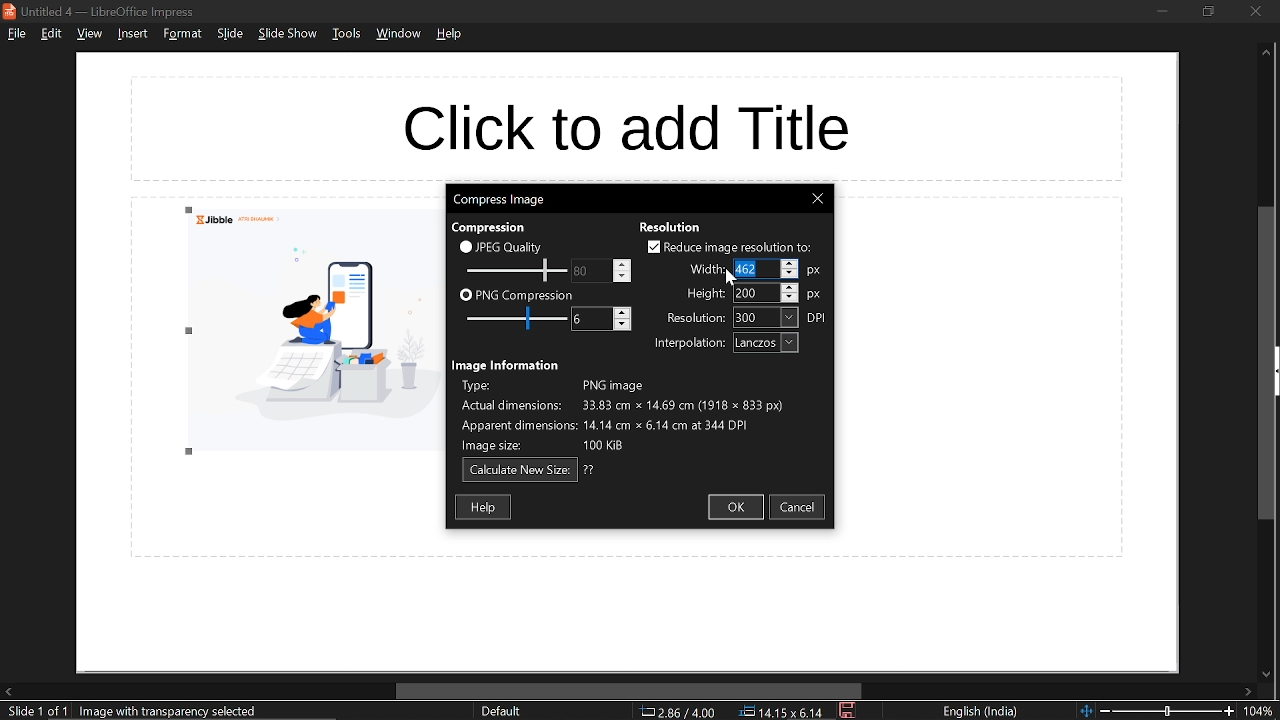 Image resolution: width=1280 pixels, height=720 pixels. Describe the element at coordinates (728, 278) in the screenshot. I see `Cursor` at that location.